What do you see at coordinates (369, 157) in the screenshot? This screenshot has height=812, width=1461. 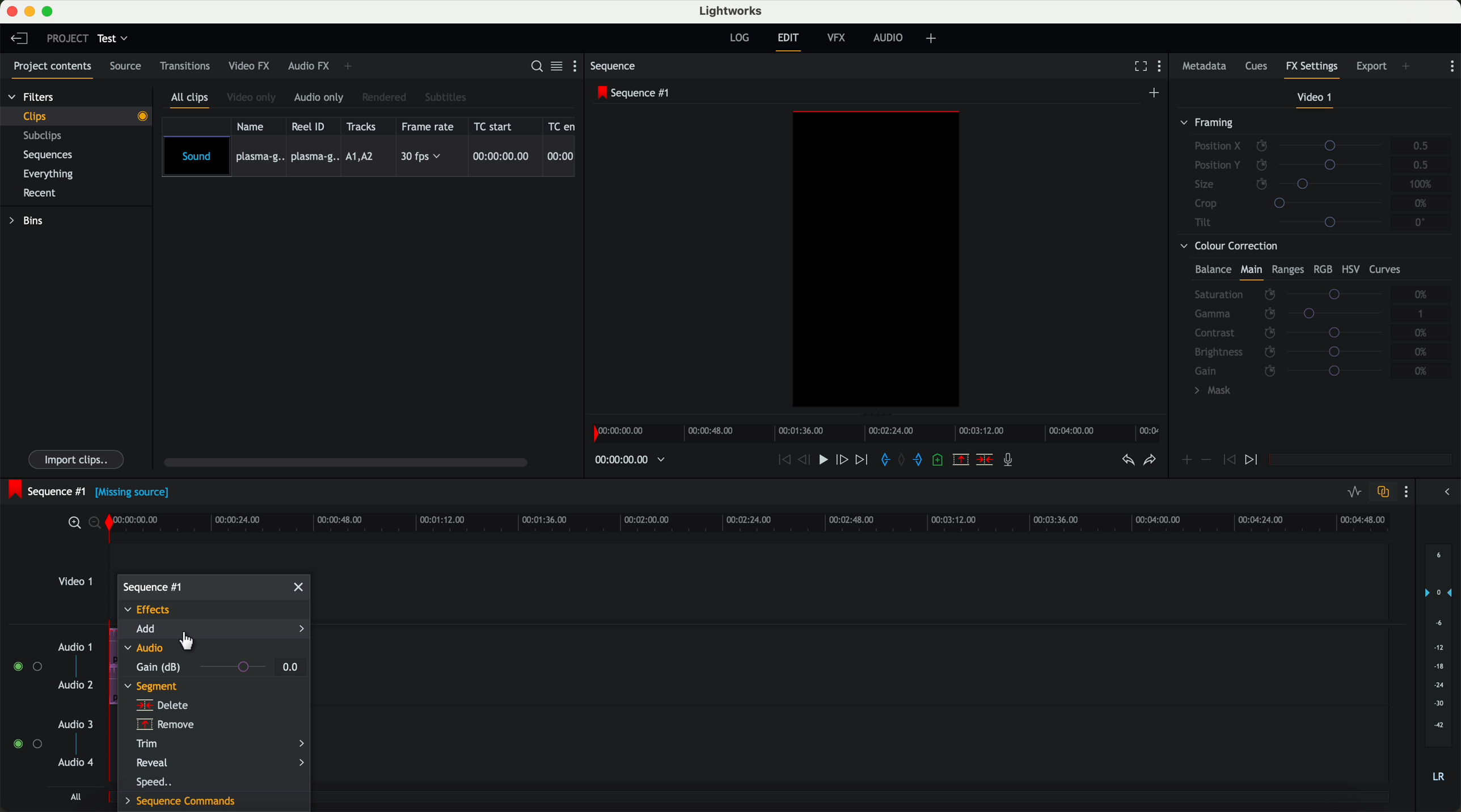 I see `imported sound` at bounding box center [369, 157].